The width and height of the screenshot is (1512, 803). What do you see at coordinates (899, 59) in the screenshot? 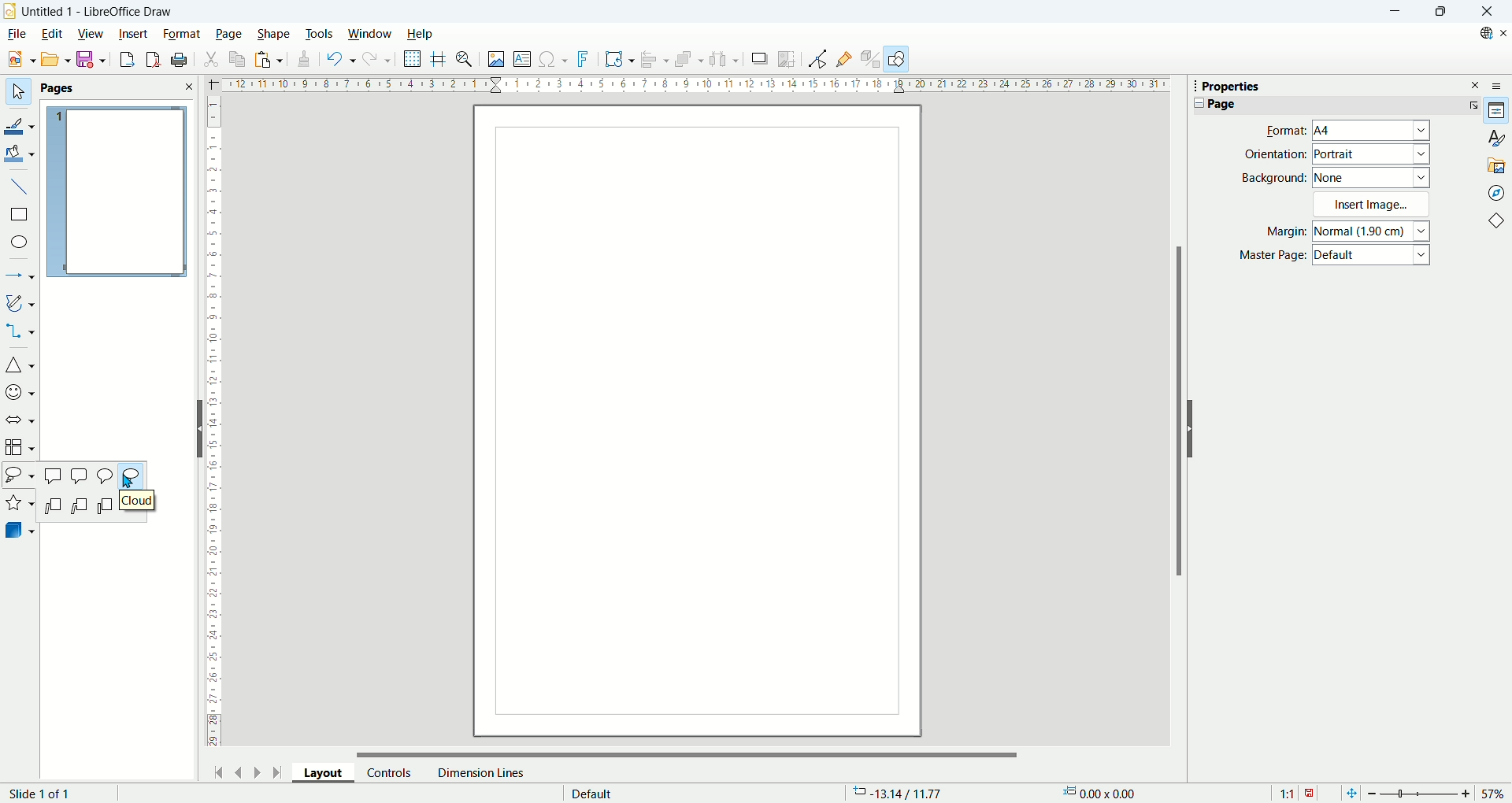
I see `draw function` at bounding box center [899, 59].